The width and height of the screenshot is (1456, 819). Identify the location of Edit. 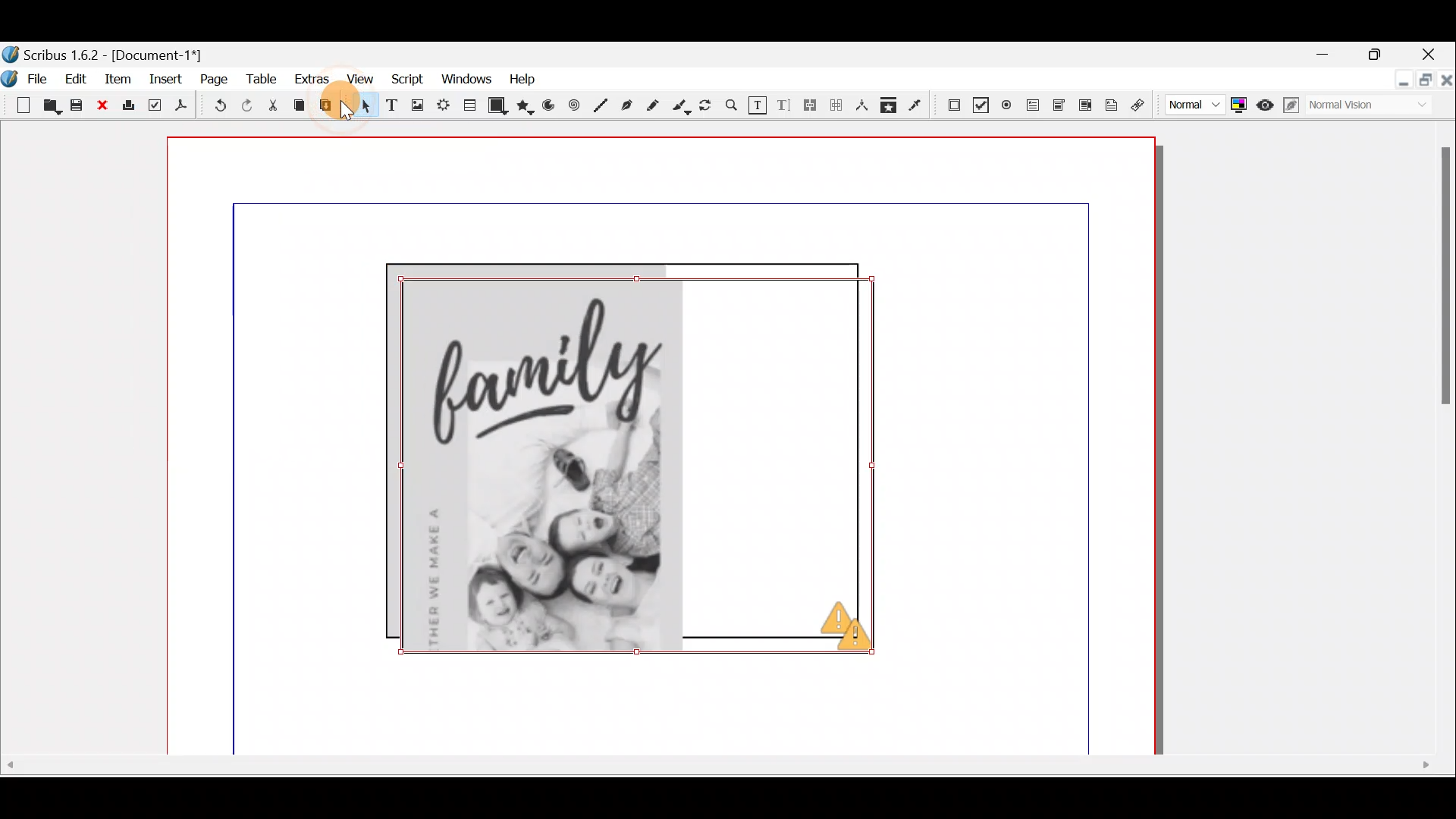
(75, 81).